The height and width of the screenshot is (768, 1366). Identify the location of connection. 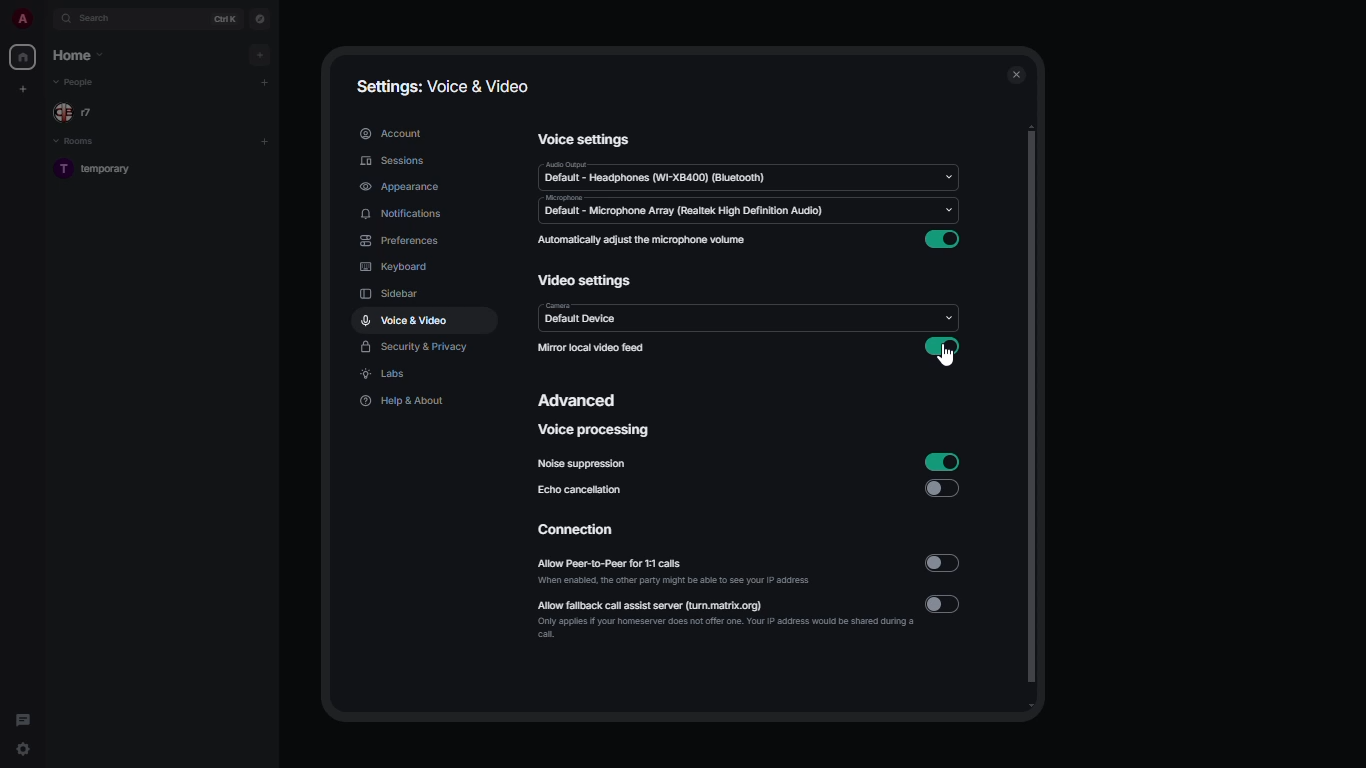
(580, 530).